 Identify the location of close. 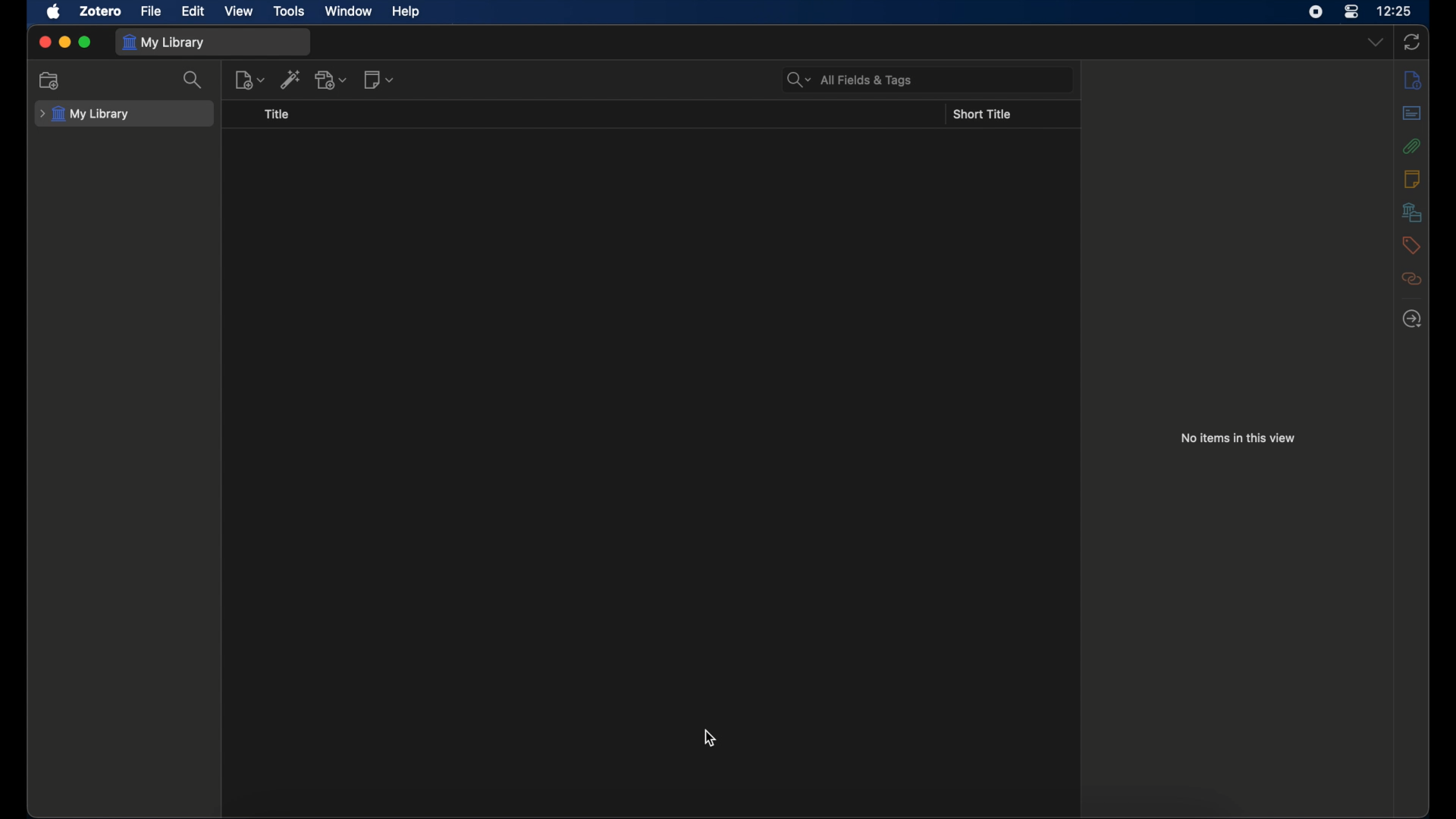
(44, 42).